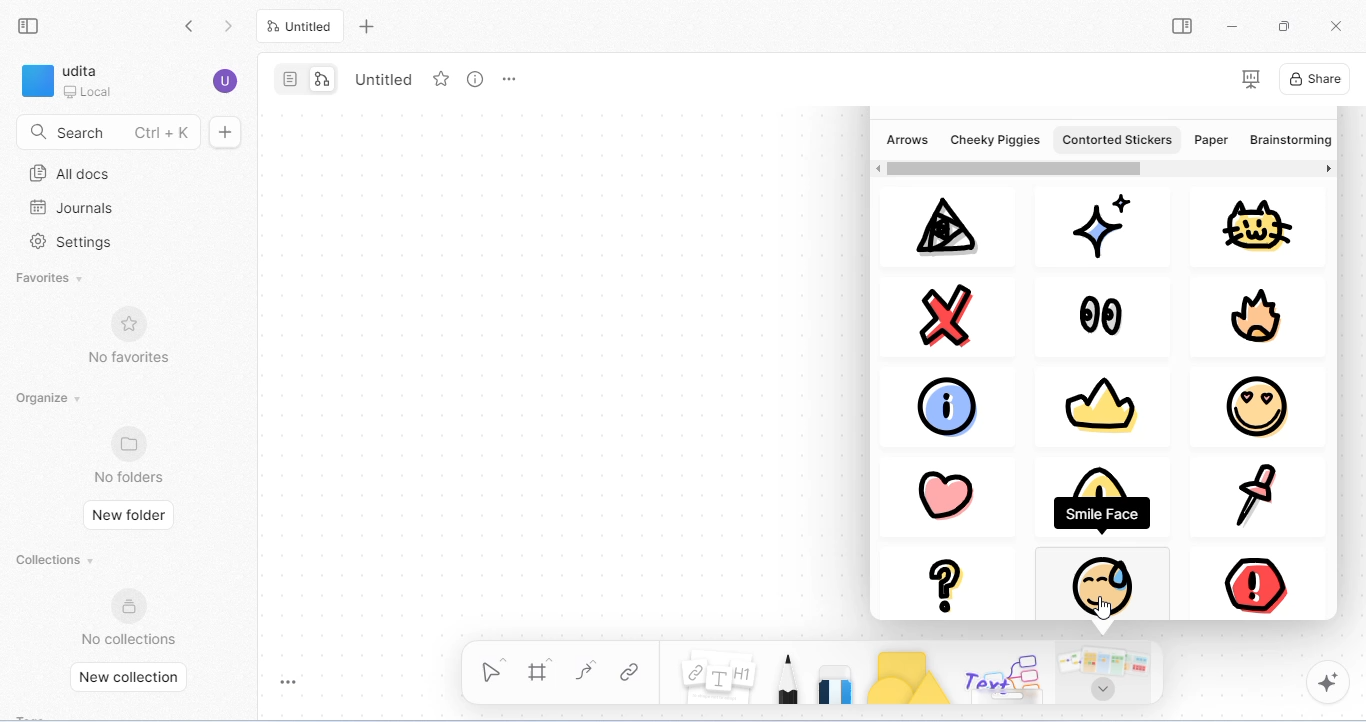  Describe the element at coordinates (52, 399) in the screenshot. I see `organize` at that location.